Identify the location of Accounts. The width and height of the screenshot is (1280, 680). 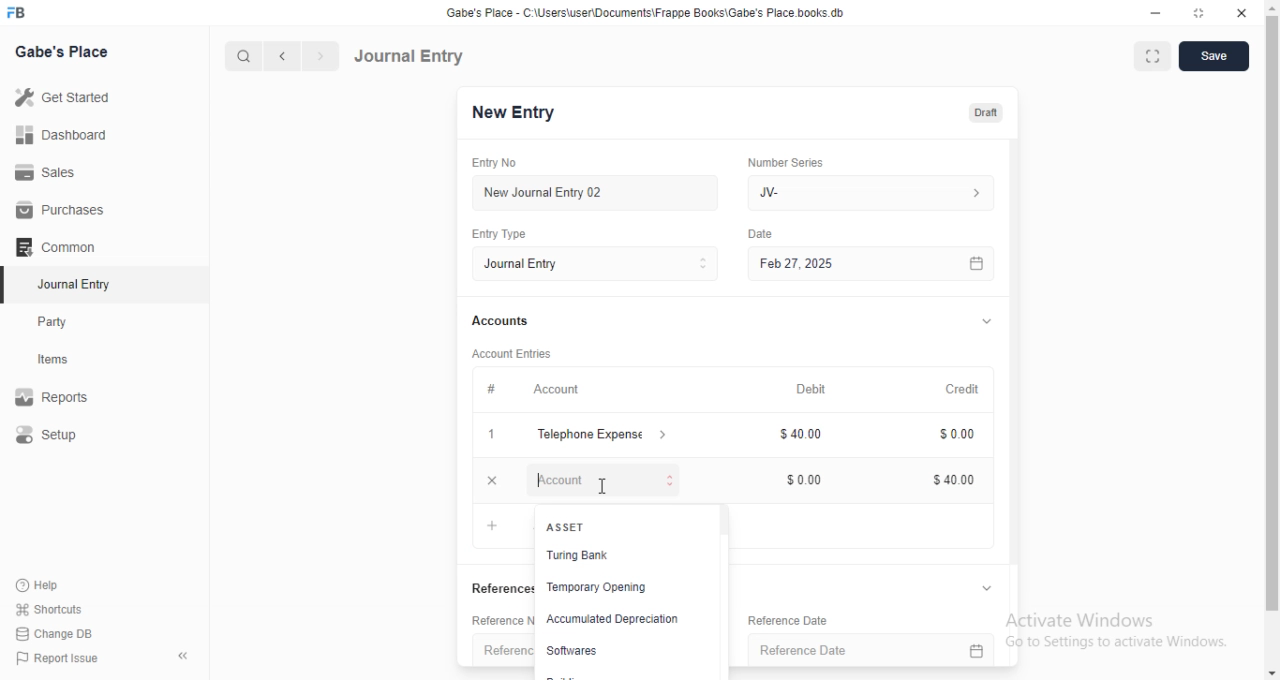
(507, 321).